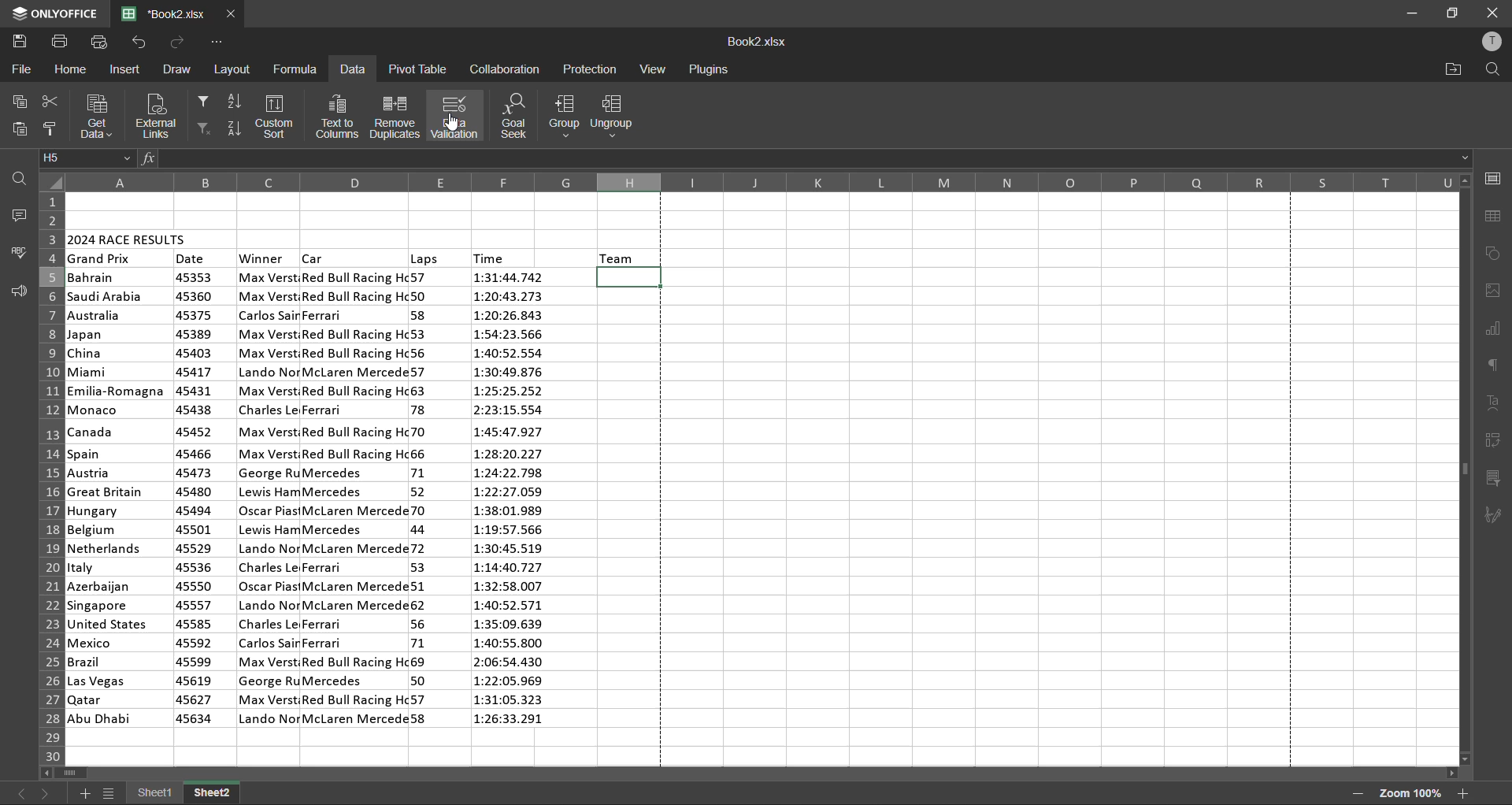  Describe the element at coordinates (235, 70) in the screenshot. I see `layout` at that location.